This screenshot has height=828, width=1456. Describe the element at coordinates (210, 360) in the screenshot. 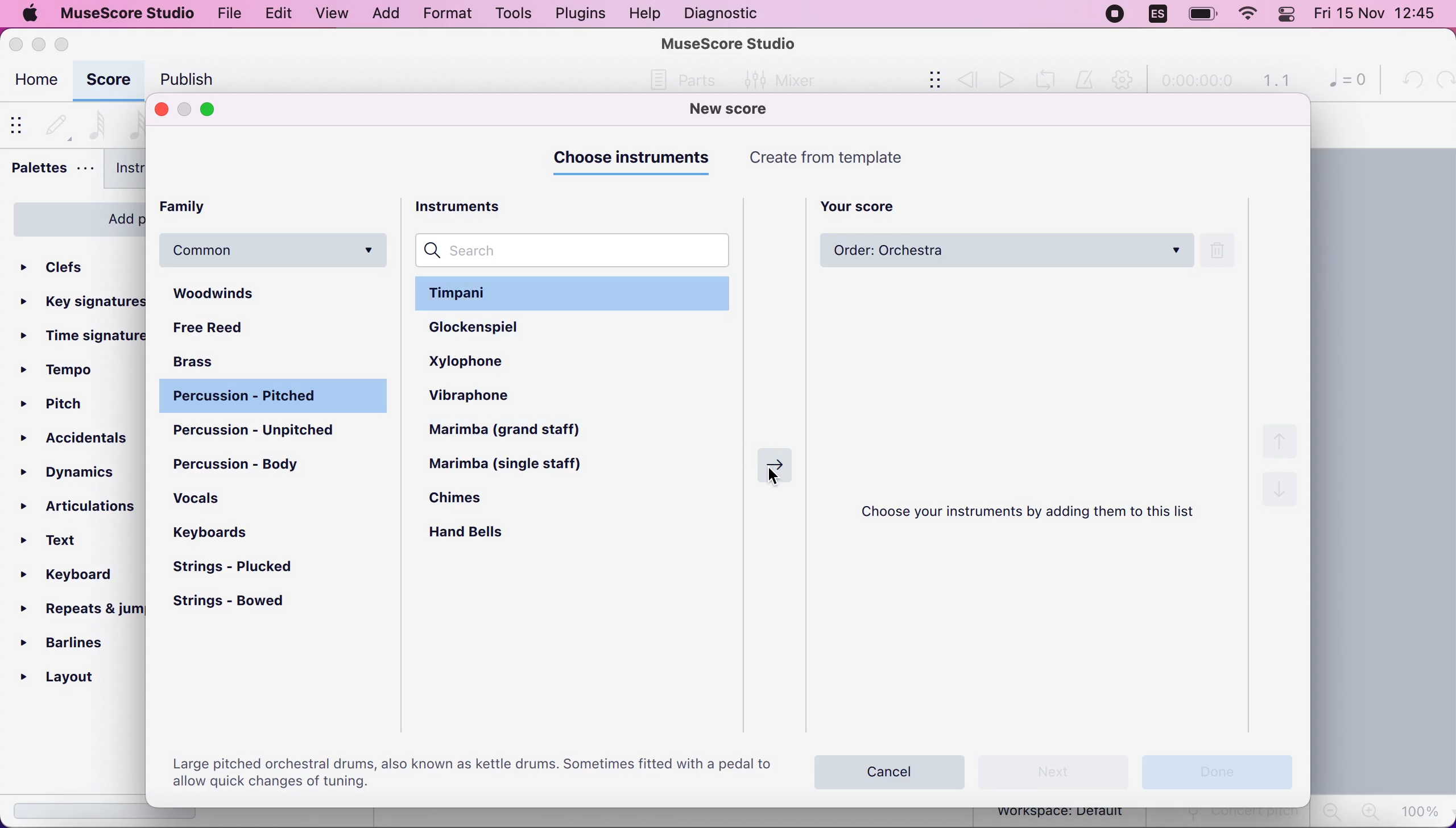

I see `brass` at that location.